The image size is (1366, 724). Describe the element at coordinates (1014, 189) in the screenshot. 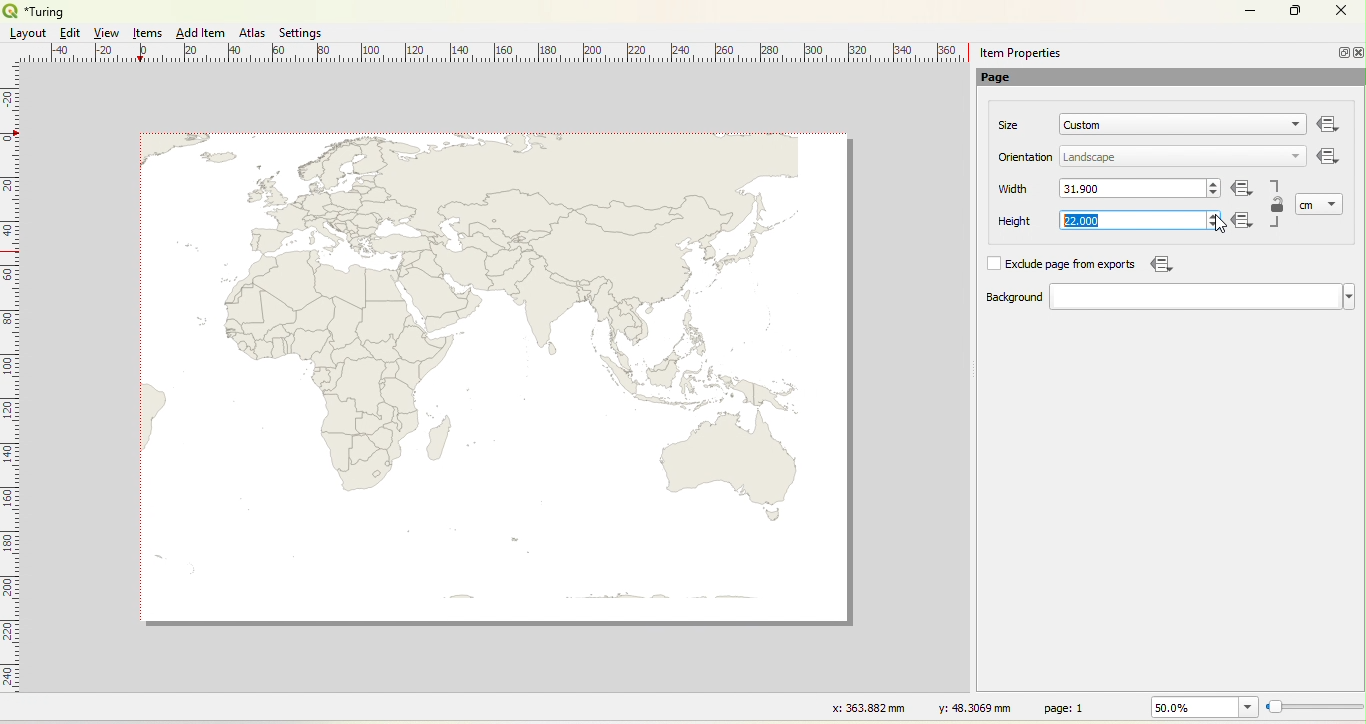

I see `Width` at that location.